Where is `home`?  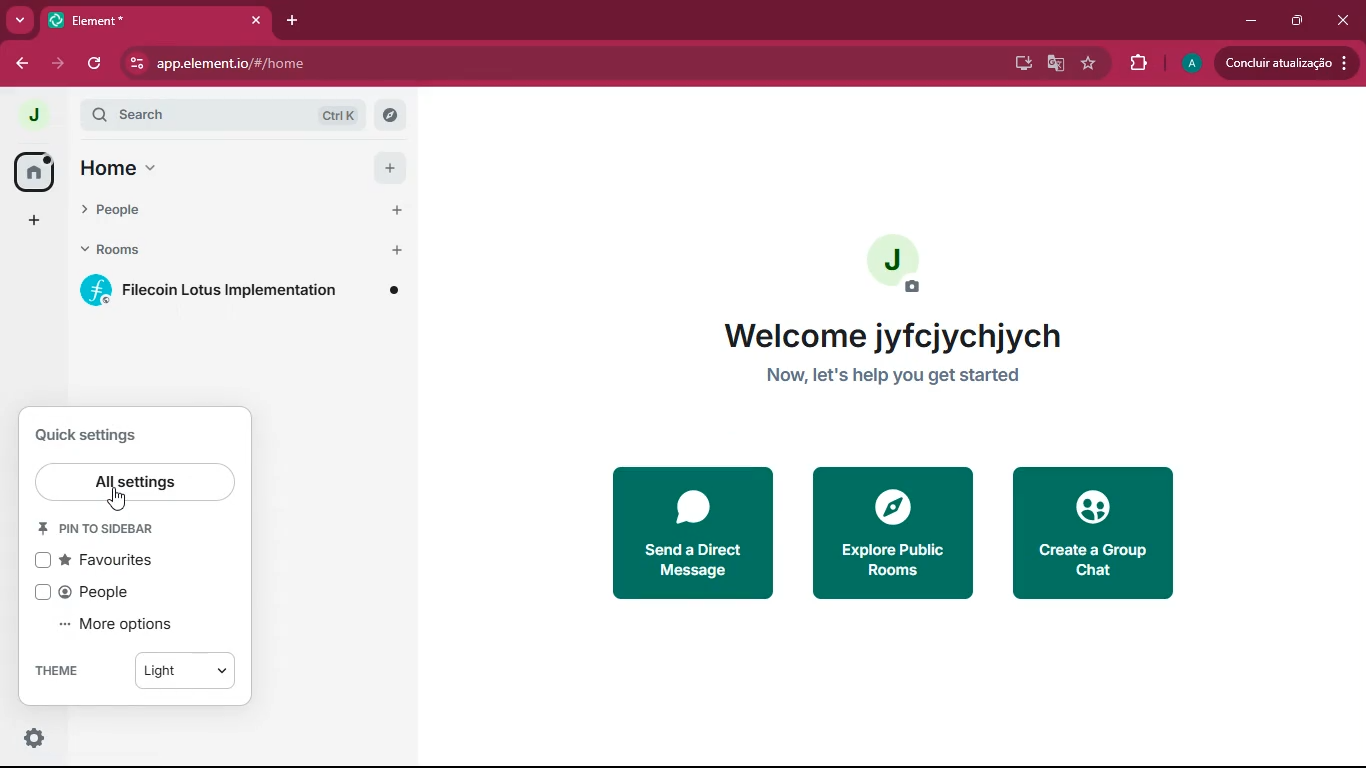
home is located at coordinates (32, 171).